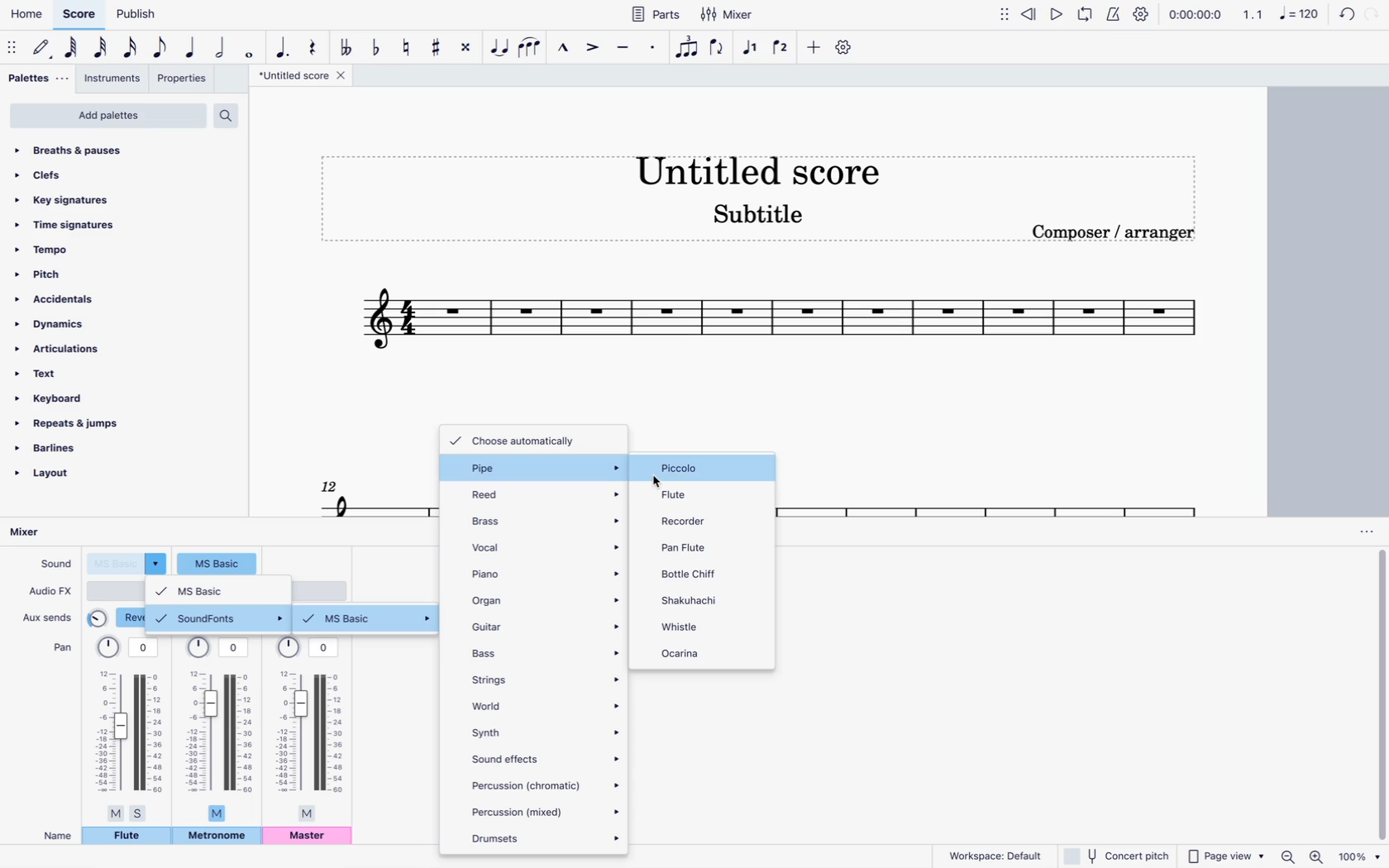 The height and width of the screenshot is (868, 1389). Describe the element at coordinates (531, 46) in the screenshot. I see `slur` at that location.